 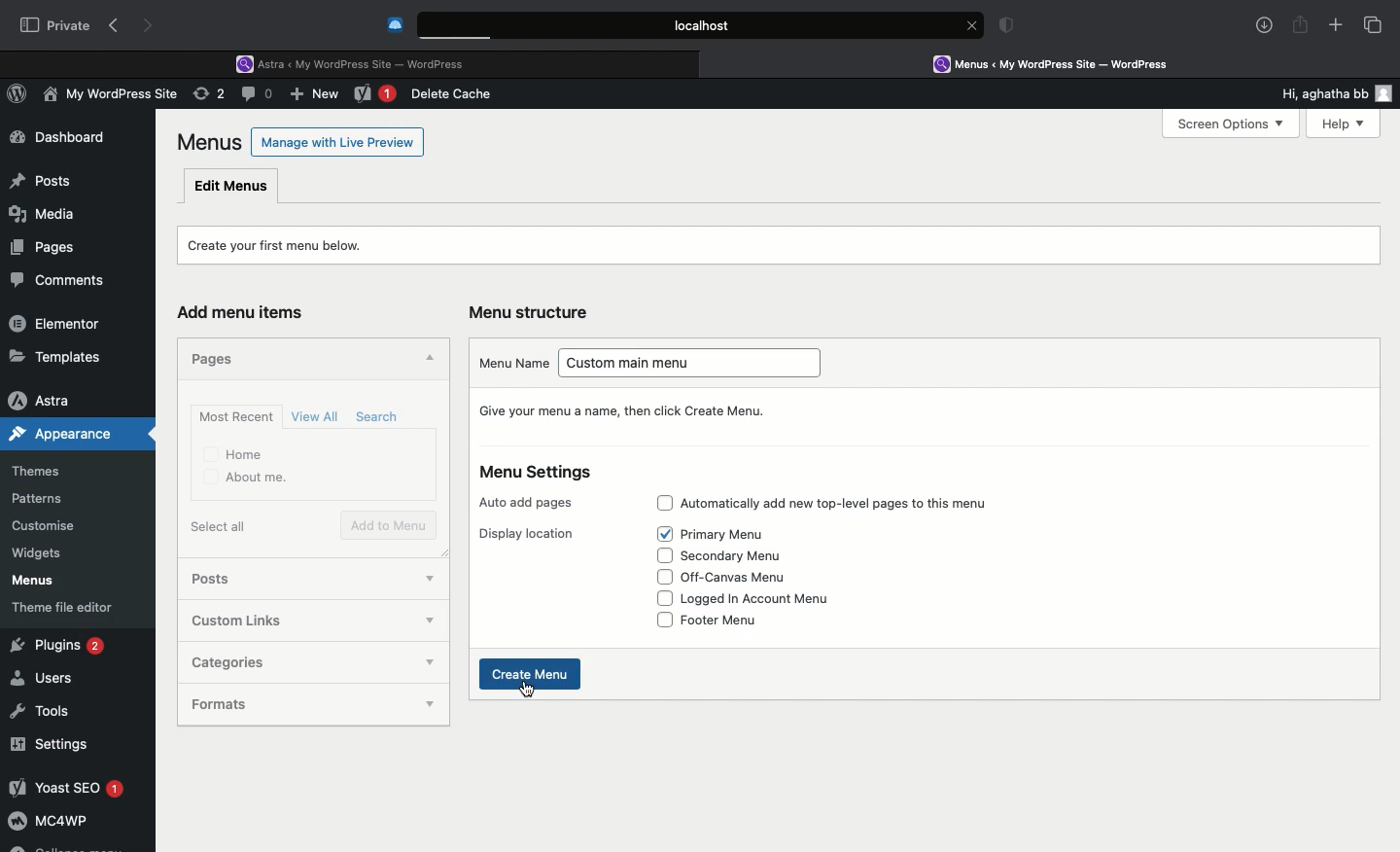 What do you see at coordinates (752, 578) in the screenshot?
I see `Off-canvas menu` at bounding box center [752, 578].